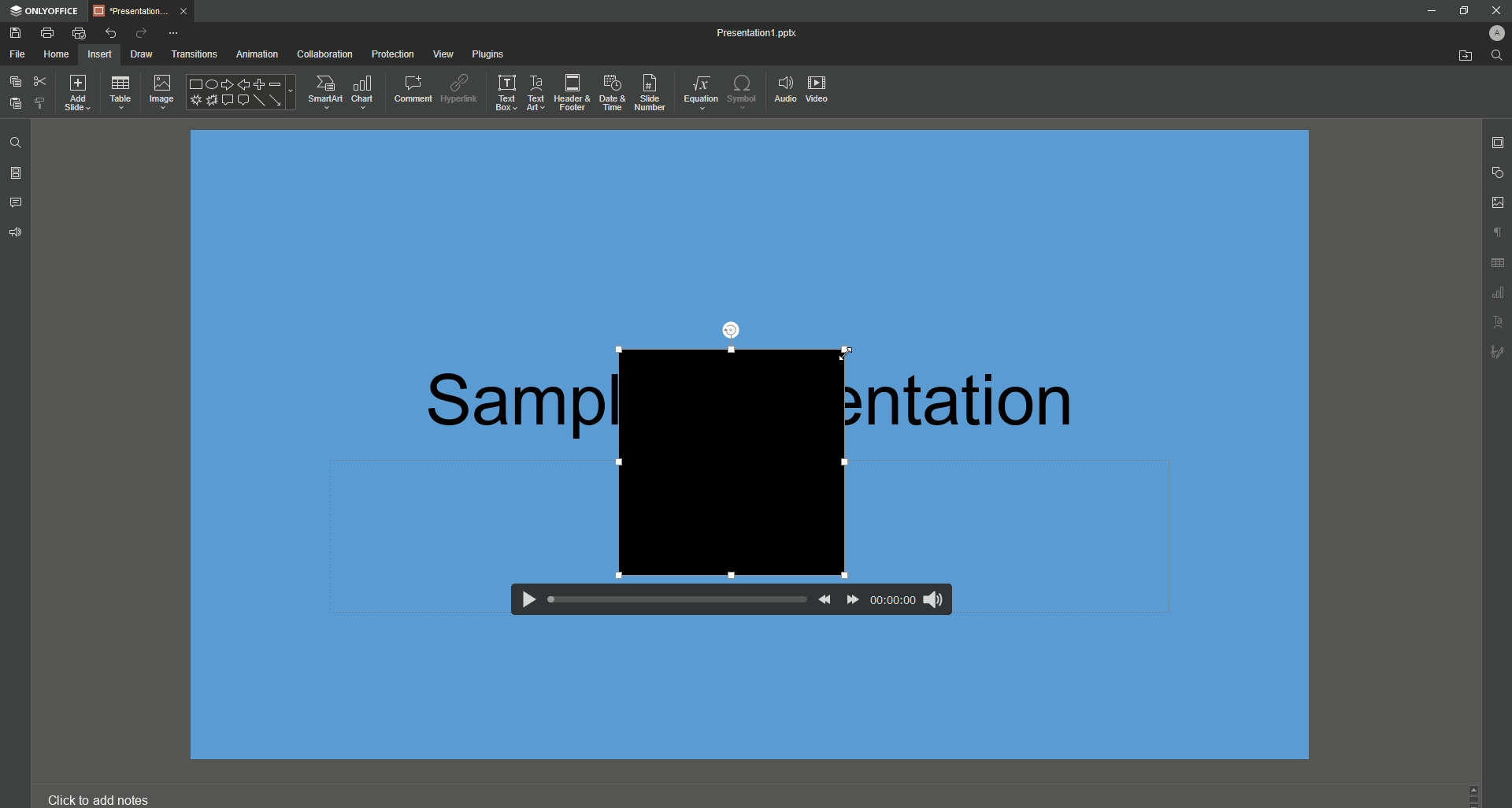 This screenshot has height=808, width=1512. What do you see at coordinates (1499, 143) in the screenshot?
I see `Slide Settings` at bounding box center [1499, 143].